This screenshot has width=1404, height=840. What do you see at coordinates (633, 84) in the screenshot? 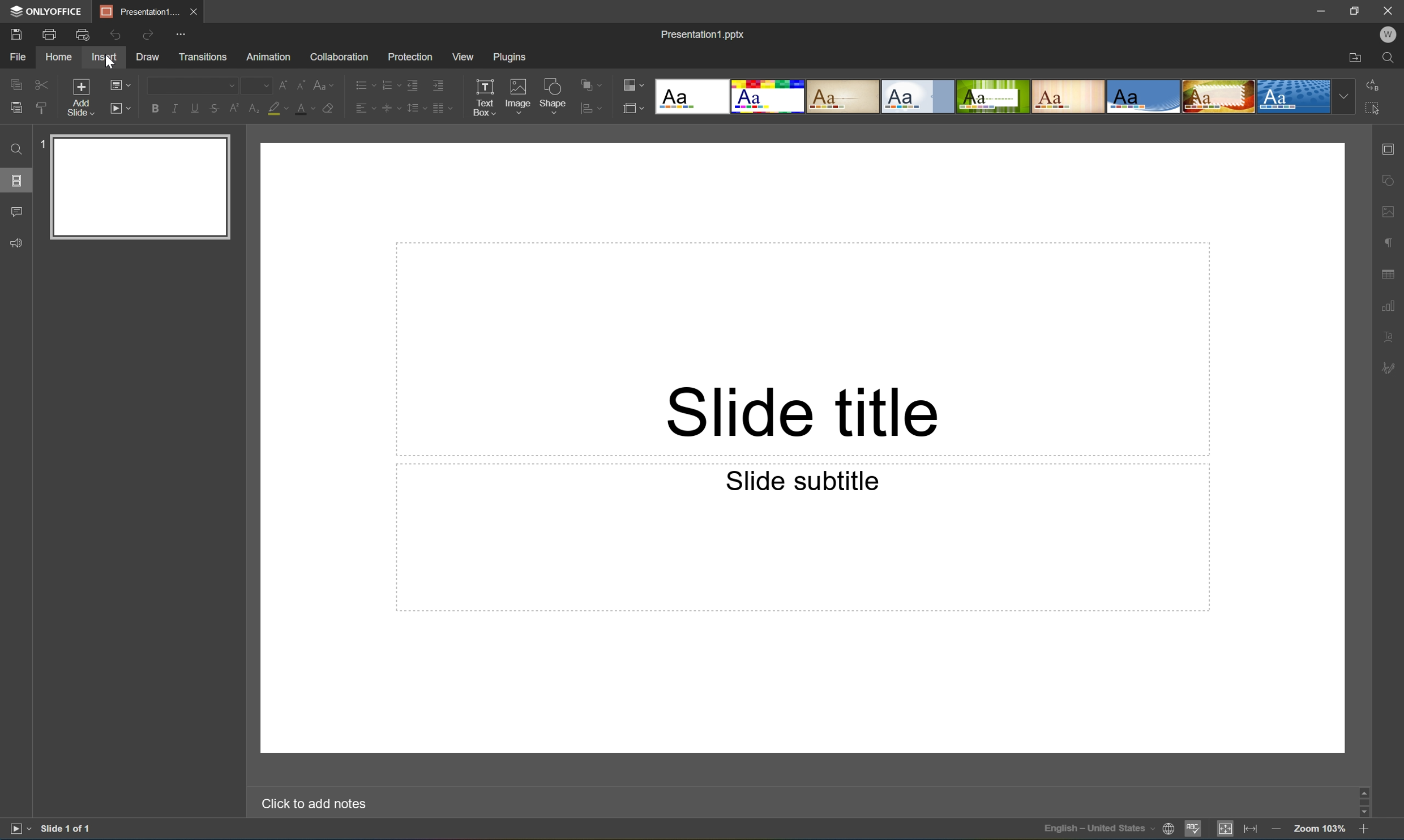
I see `Change color theme` at bounding box center [633, 84].